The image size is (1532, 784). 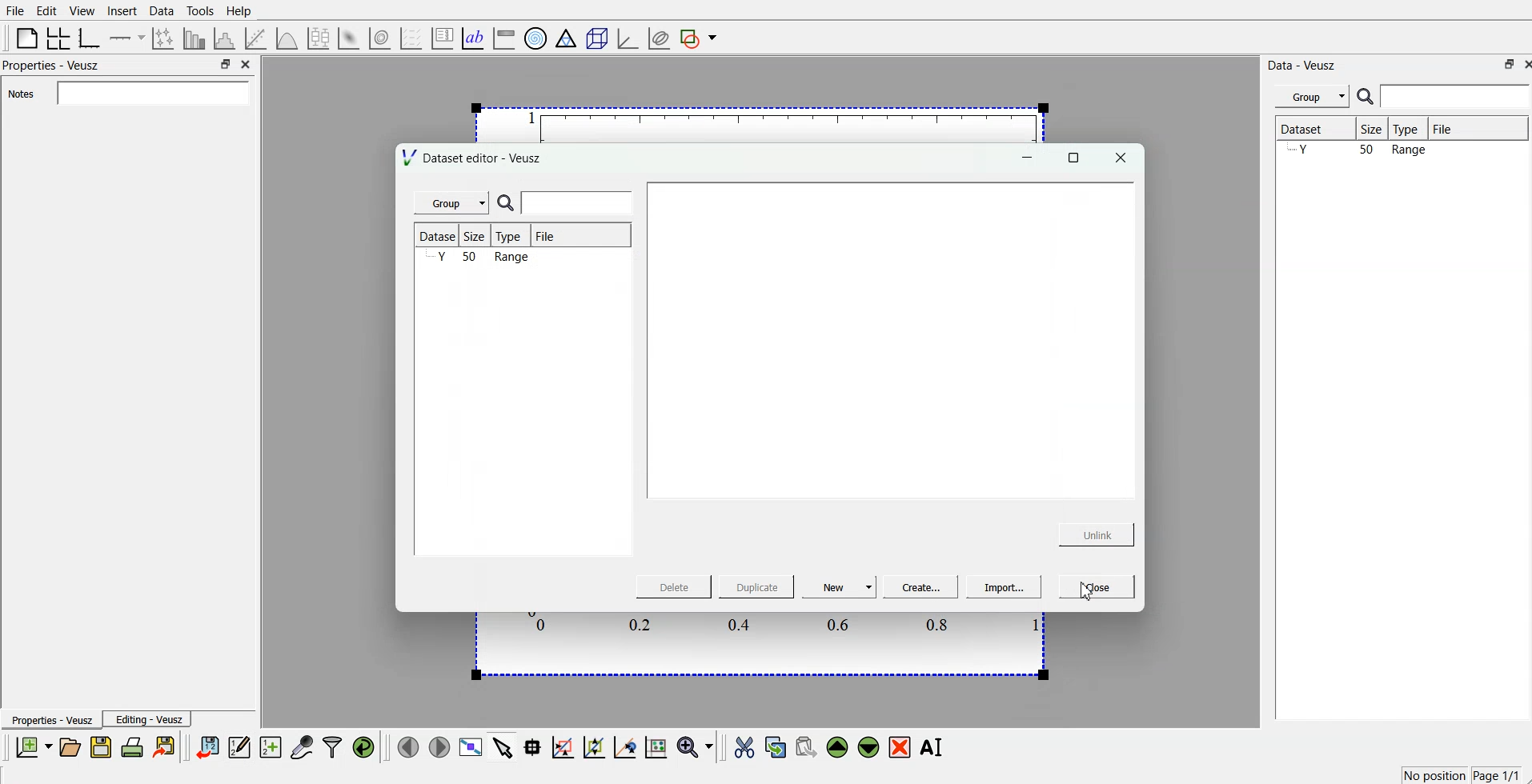 I want to click on base graphs, so click(x=92, y=36).